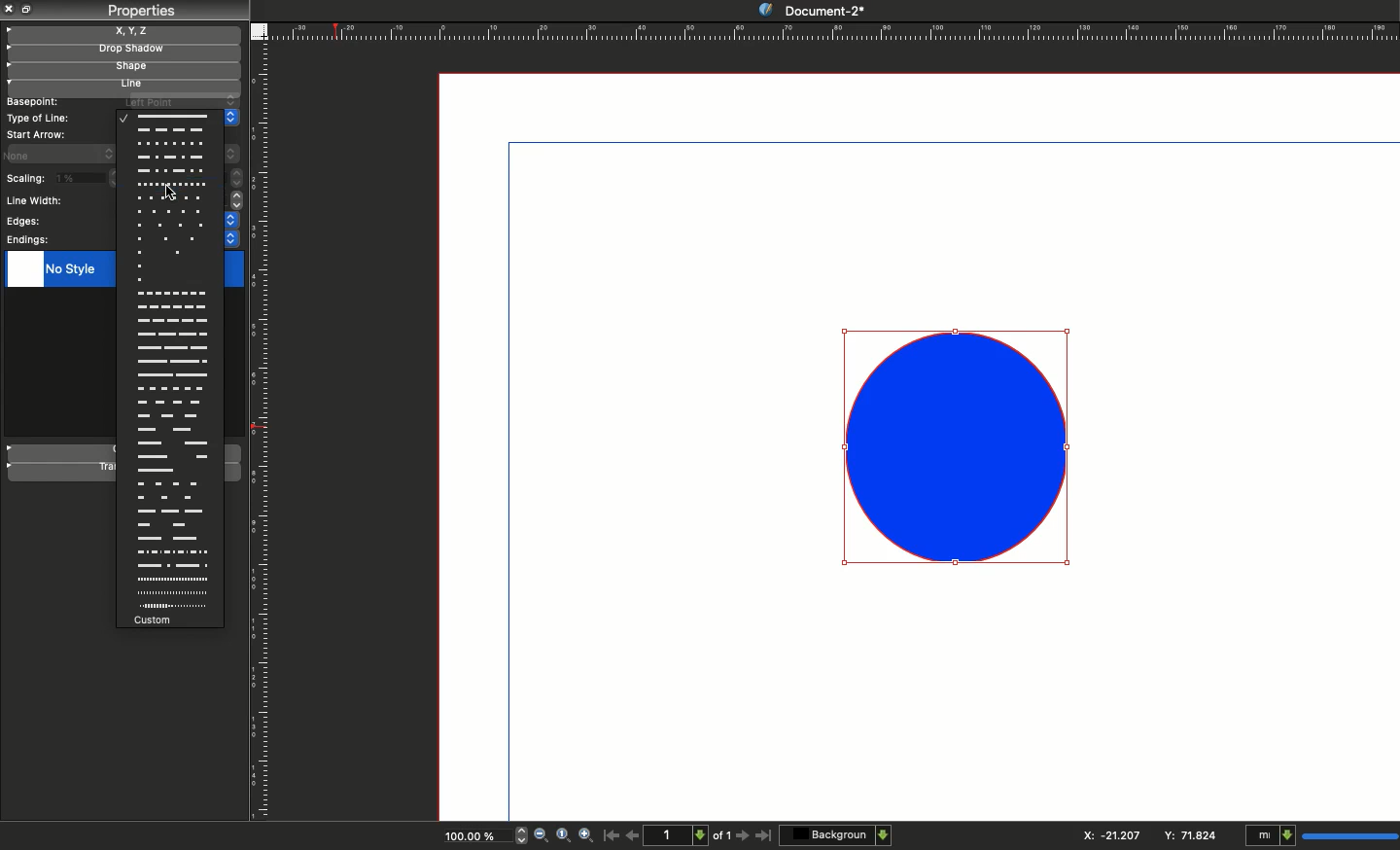 This screenshot has height=850, width=1400. What do you see at coordinates (169, 483) in the screenshot?
I see `line option` at bounding box center [169, 483].